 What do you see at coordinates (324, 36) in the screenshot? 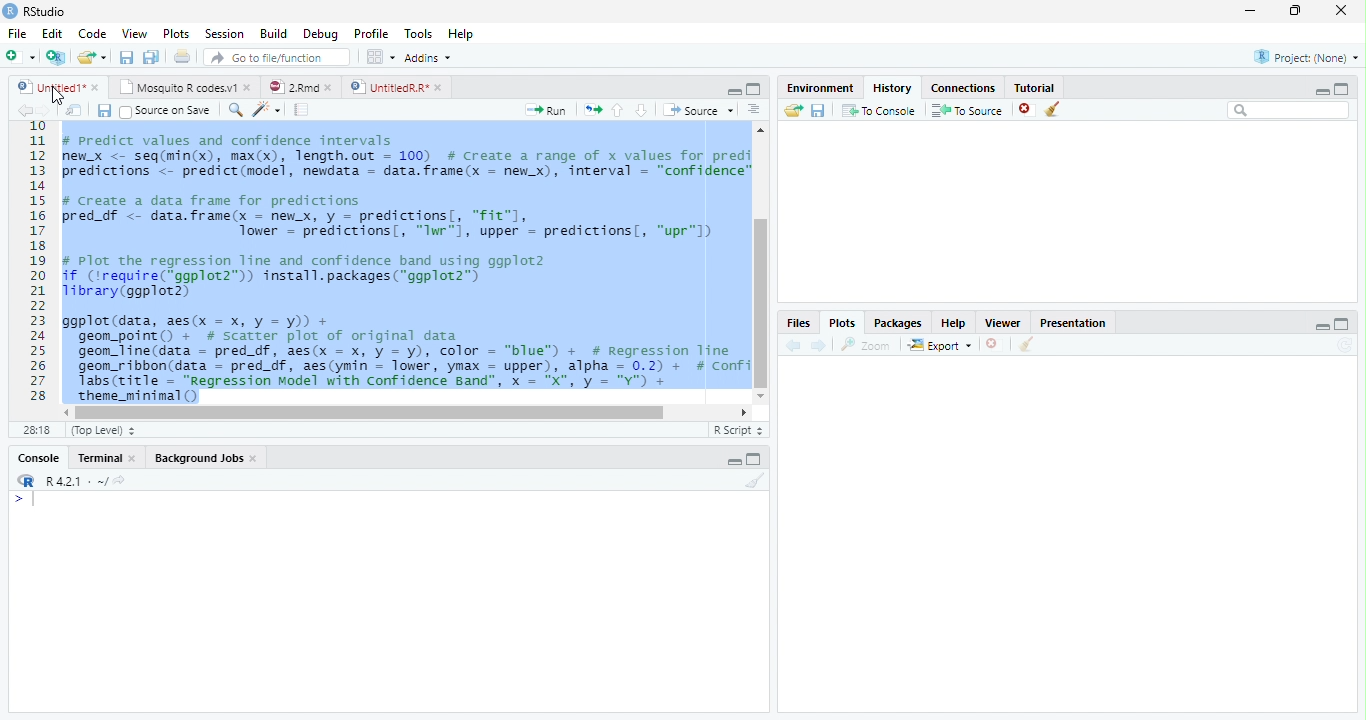
I see `Debug` at bounding box center [324, 36].